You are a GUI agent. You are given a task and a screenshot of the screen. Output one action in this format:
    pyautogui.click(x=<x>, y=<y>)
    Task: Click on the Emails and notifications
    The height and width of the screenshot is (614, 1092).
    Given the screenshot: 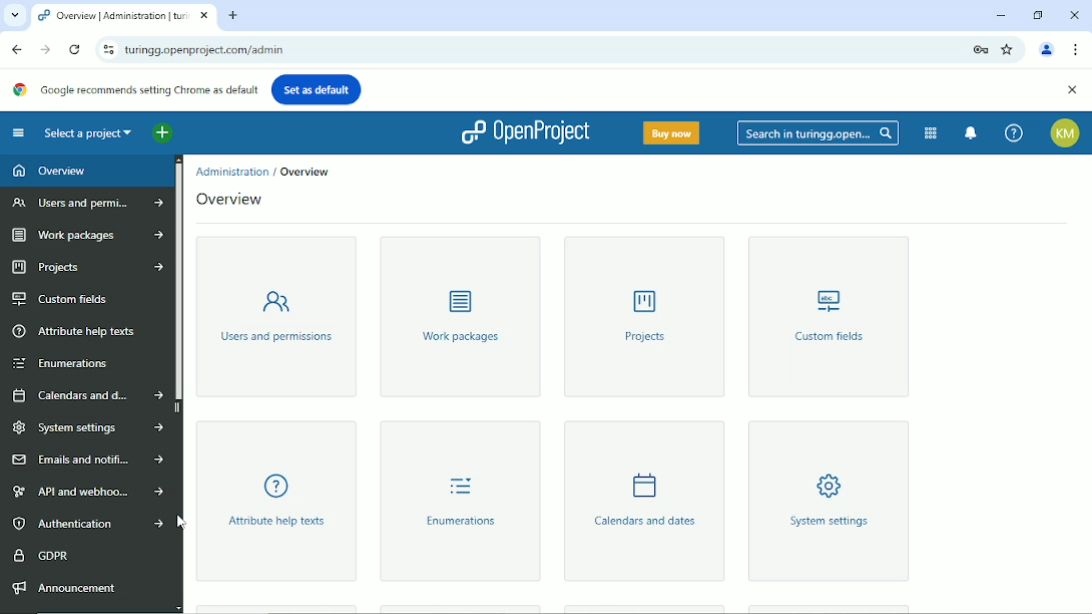 What is the action you would take?
    pyautogui.click(x=87, y=460)
    